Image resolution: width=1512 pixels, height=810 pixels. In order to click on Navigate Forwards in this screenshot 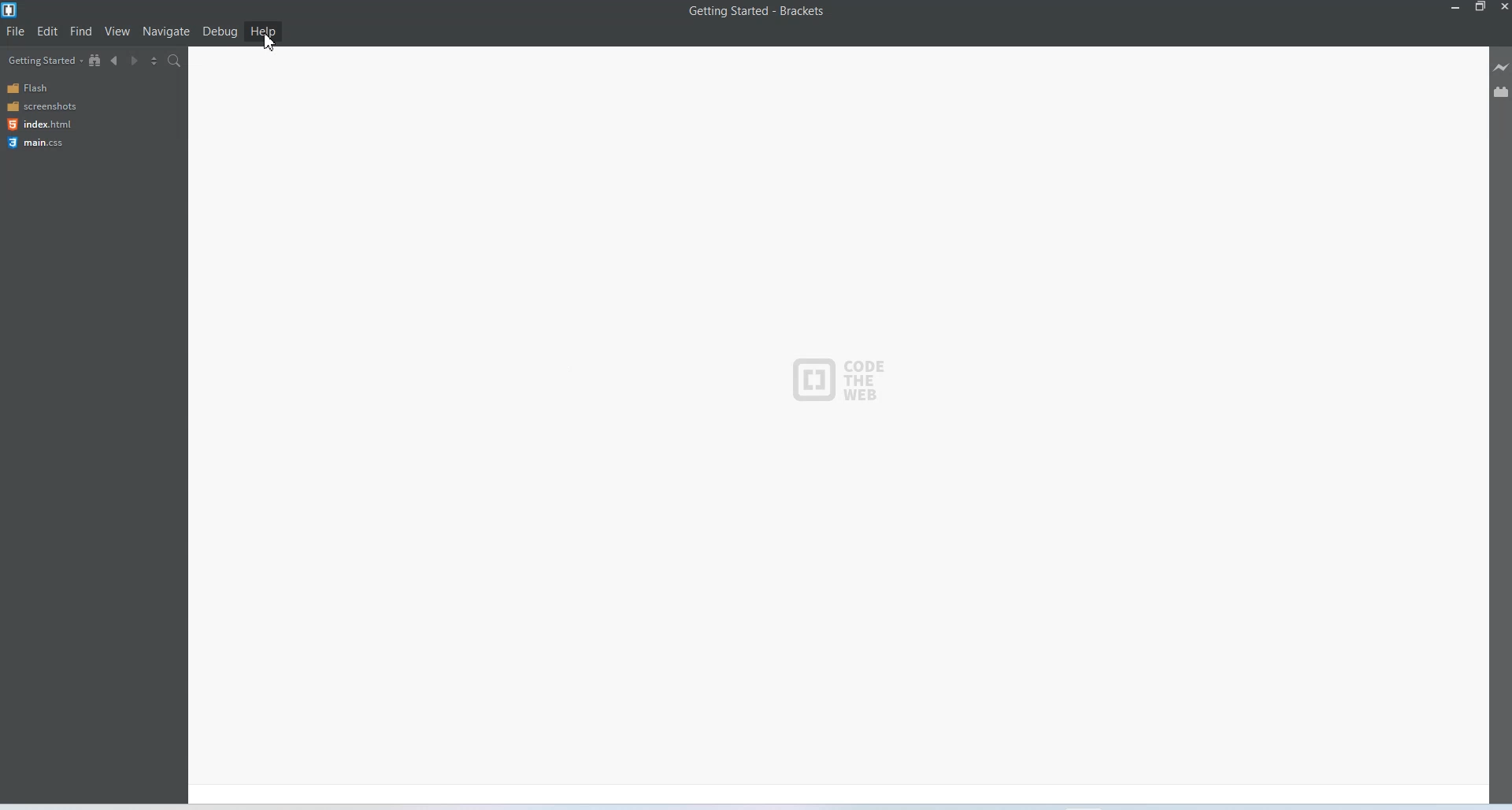, I will do `click(136, 61)`.